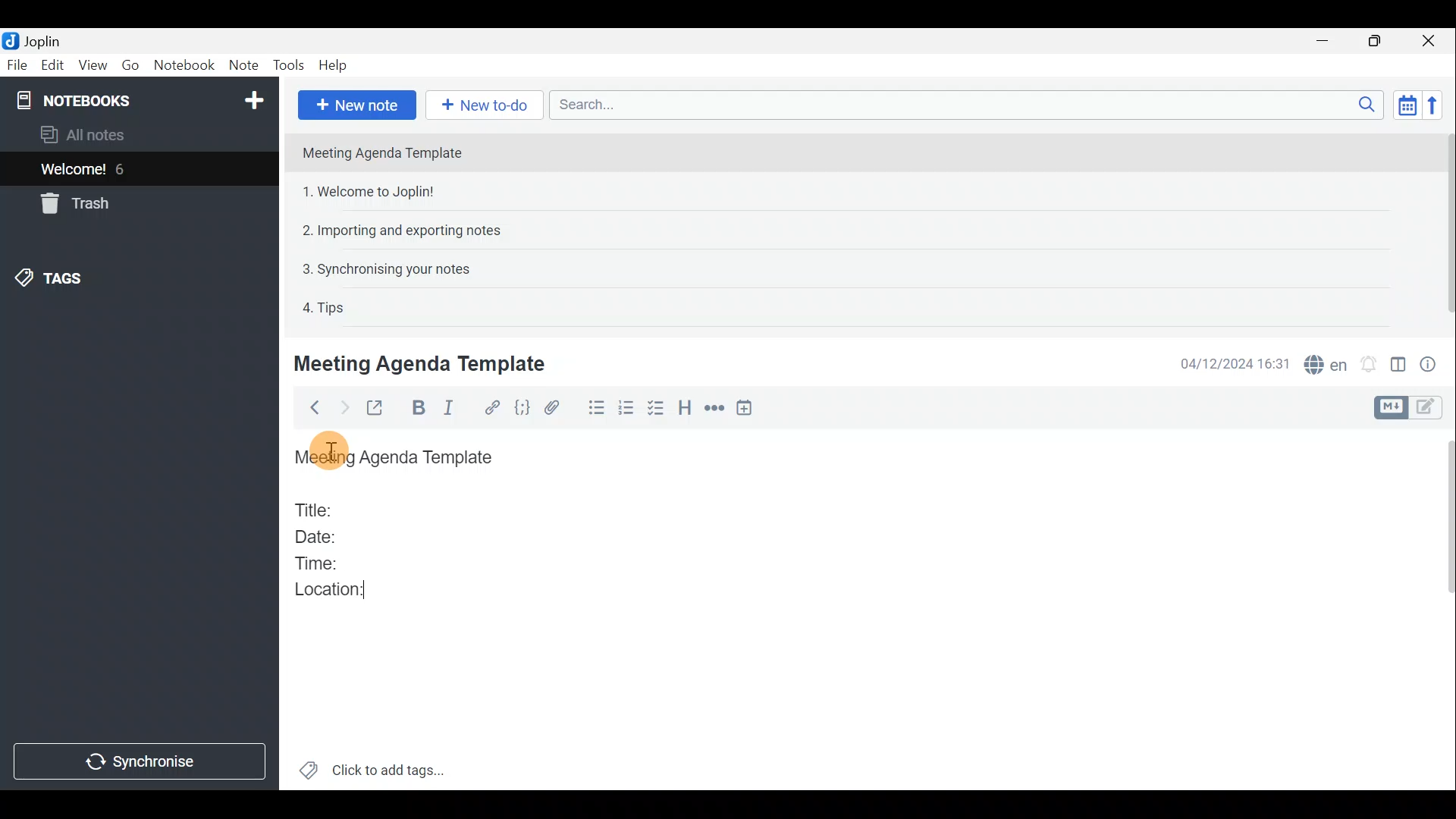 Image resolution: width=1456 pixels, height=819 pixels. Describe the element at coordinates (393, 461) in the screenshot. I see `Meeting Agenda Template` at that location.